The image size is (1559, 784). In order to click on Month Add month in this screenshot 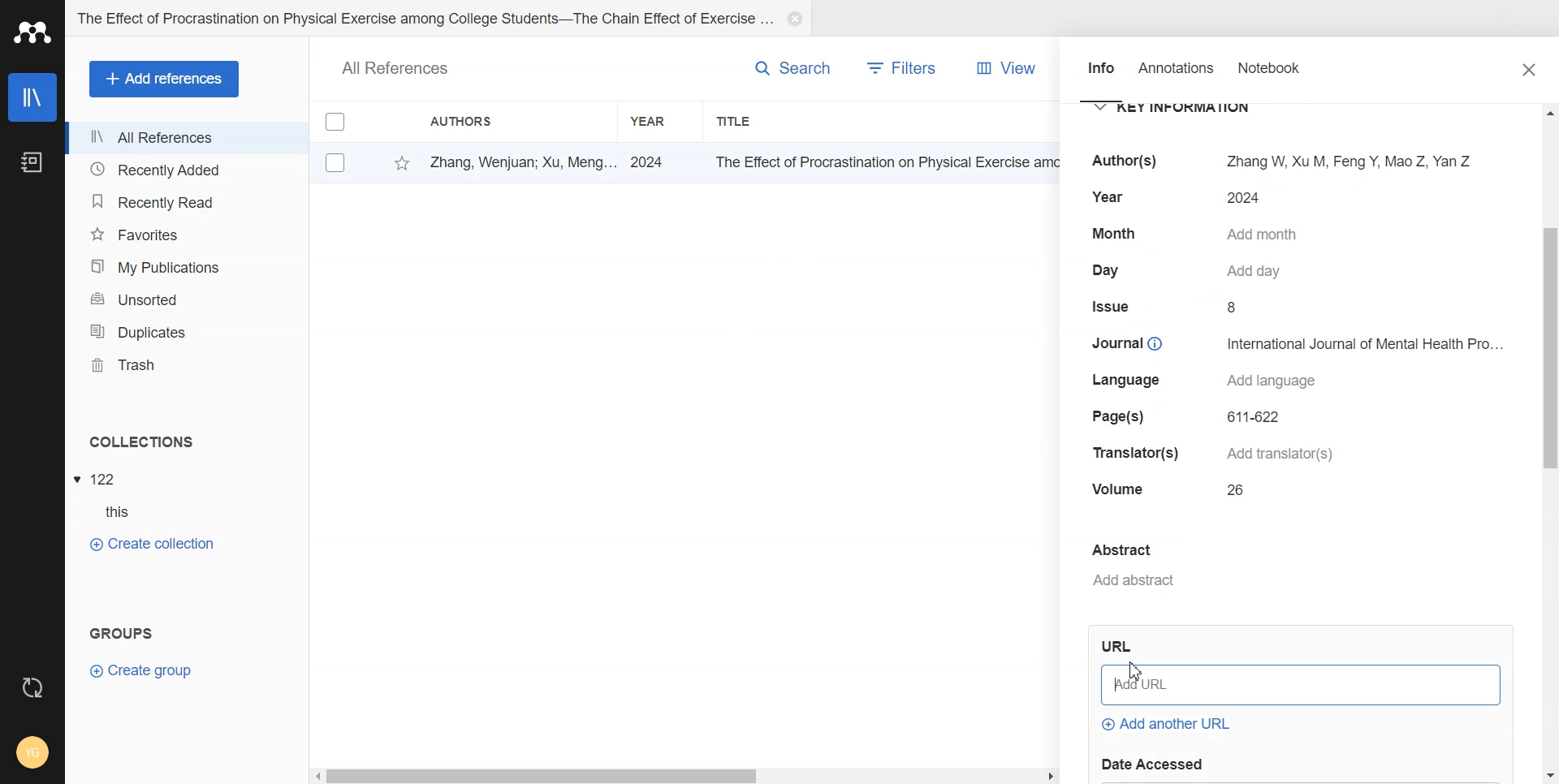, I will do `click(1198, 234)`.